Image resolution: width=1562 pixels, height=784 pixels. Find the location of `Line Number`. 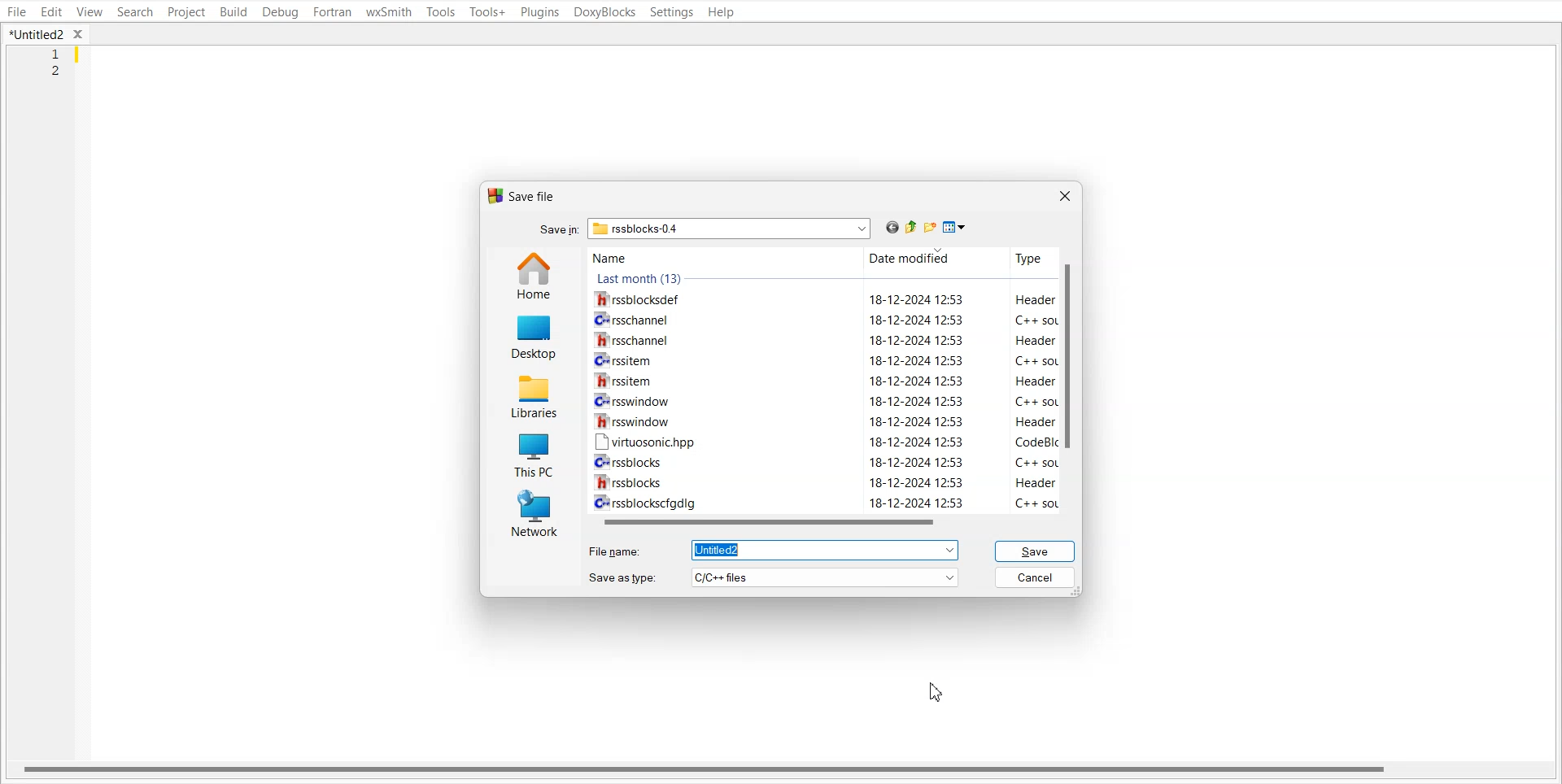

Line Number is located at coordinates (46, 58).